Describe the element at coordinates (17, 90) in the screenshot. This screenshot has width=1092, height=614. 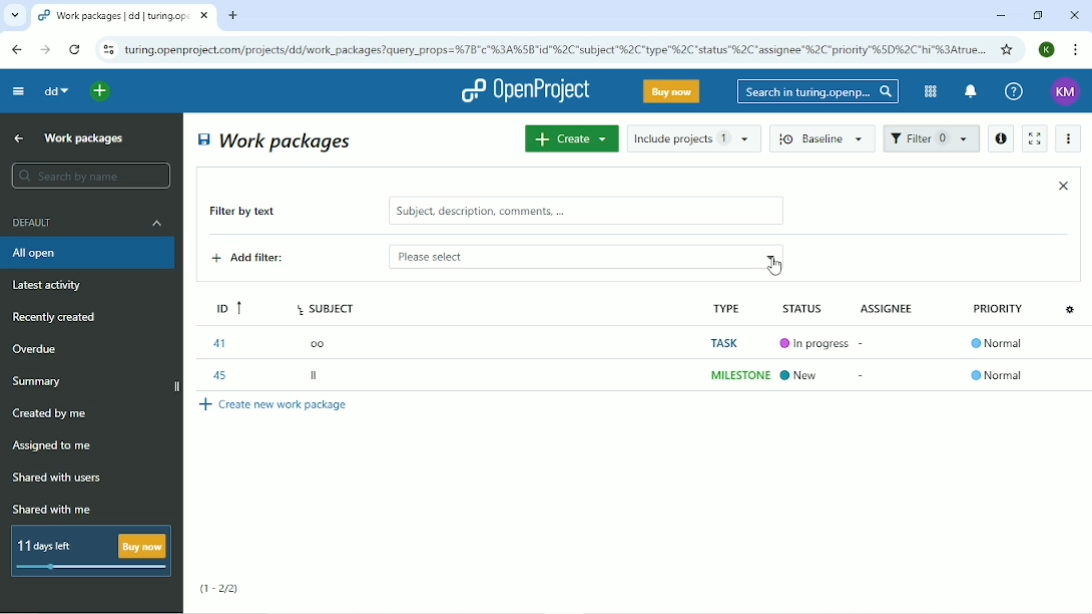
I see `Collapse project menu` at that location.